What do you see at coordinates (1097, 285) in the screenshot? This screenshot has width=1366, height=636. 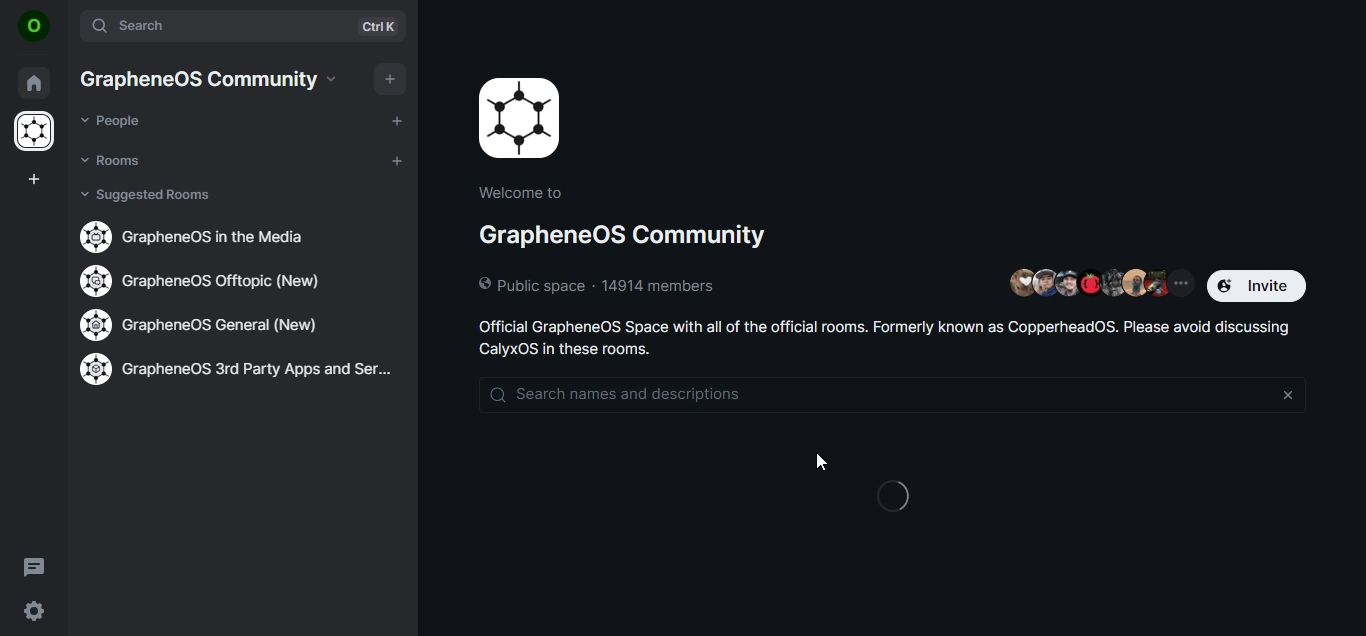 I see `view all members` at bounding box center [1097, 285].